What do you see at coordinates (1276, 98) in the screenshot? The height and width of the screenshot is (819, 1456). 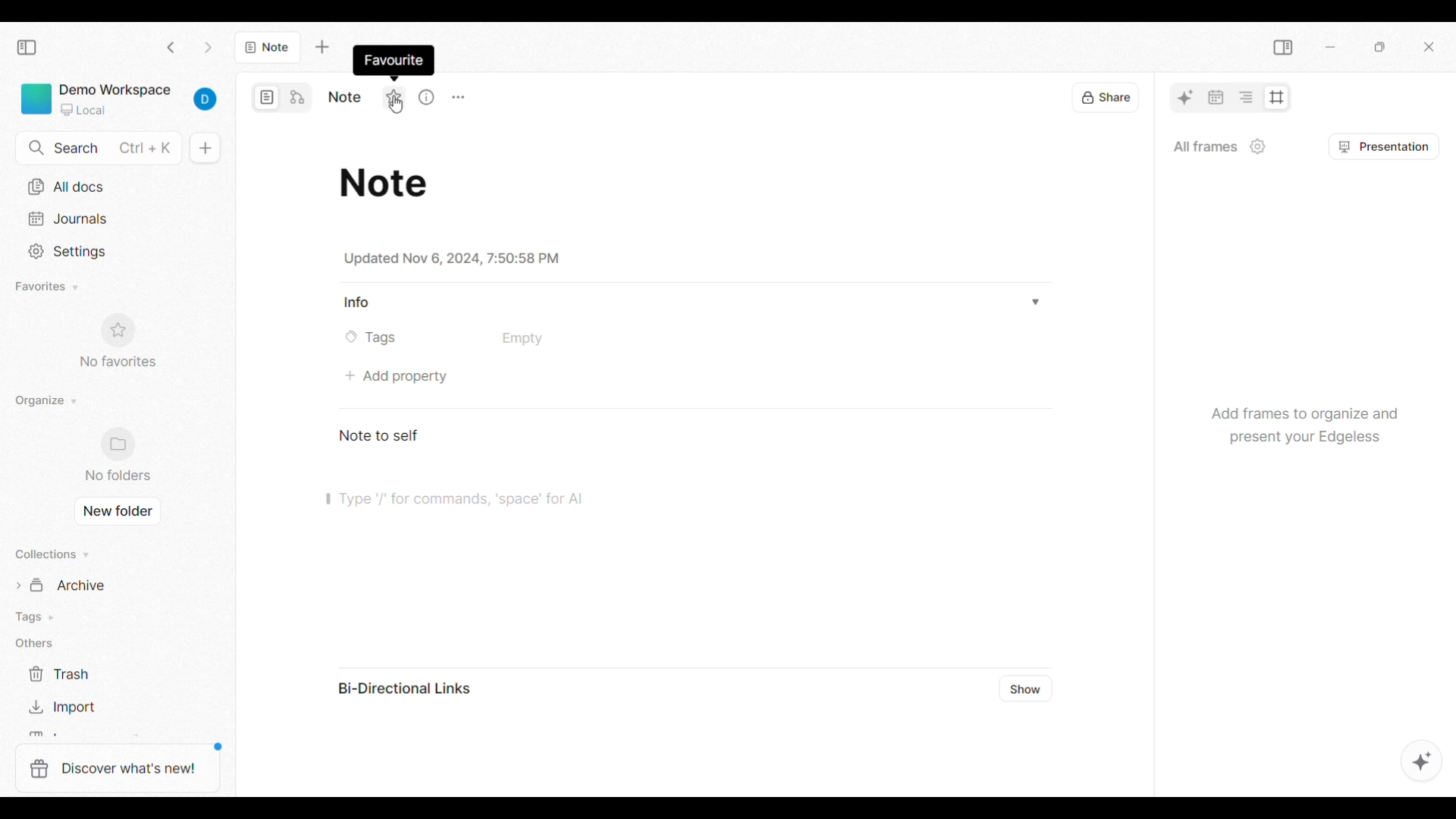 I see `Frames` at bounding box center [1276, 98].